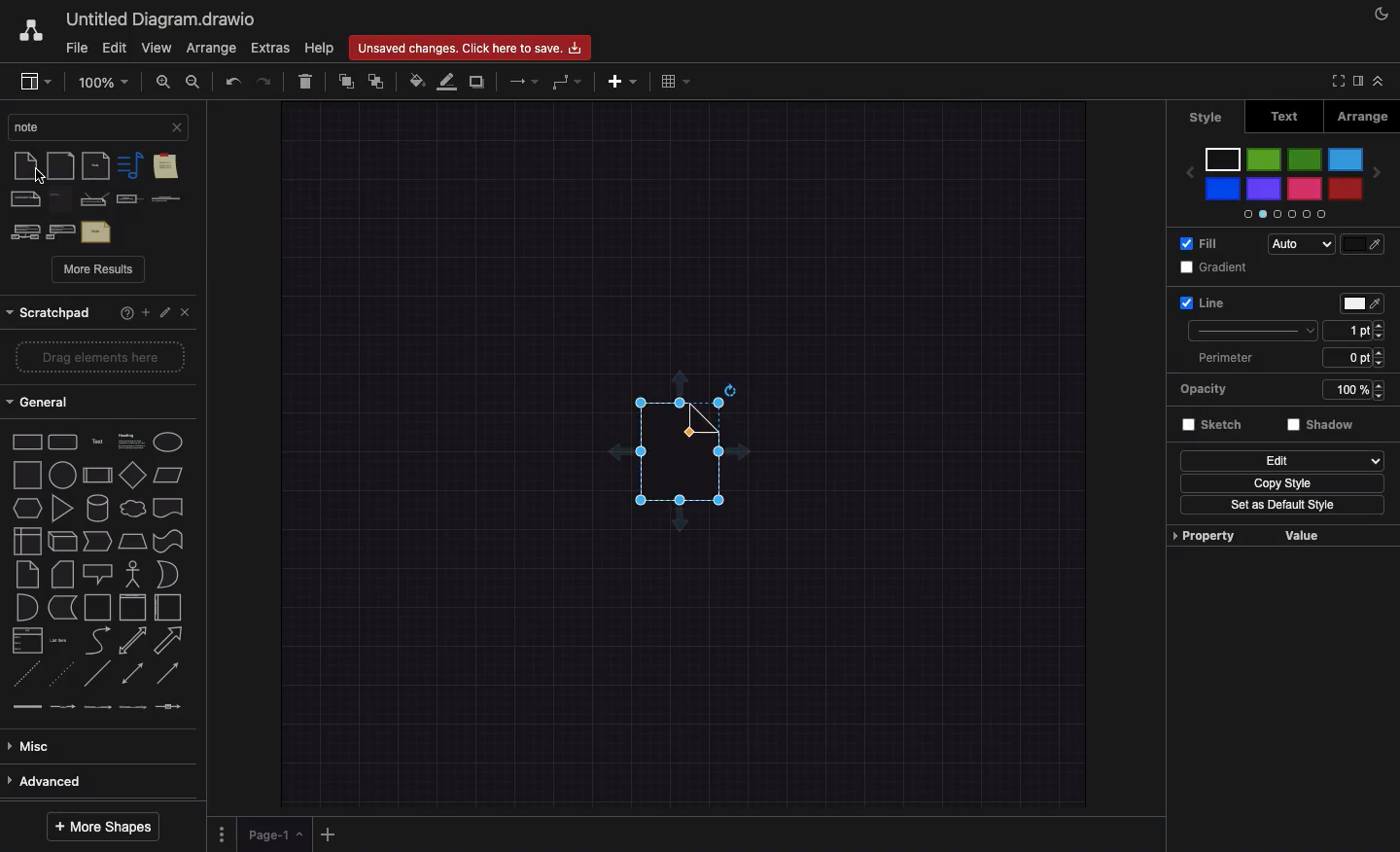 The height and width of the screenshot is (852, 1400). I want to click on Edit, so click(166, 313).